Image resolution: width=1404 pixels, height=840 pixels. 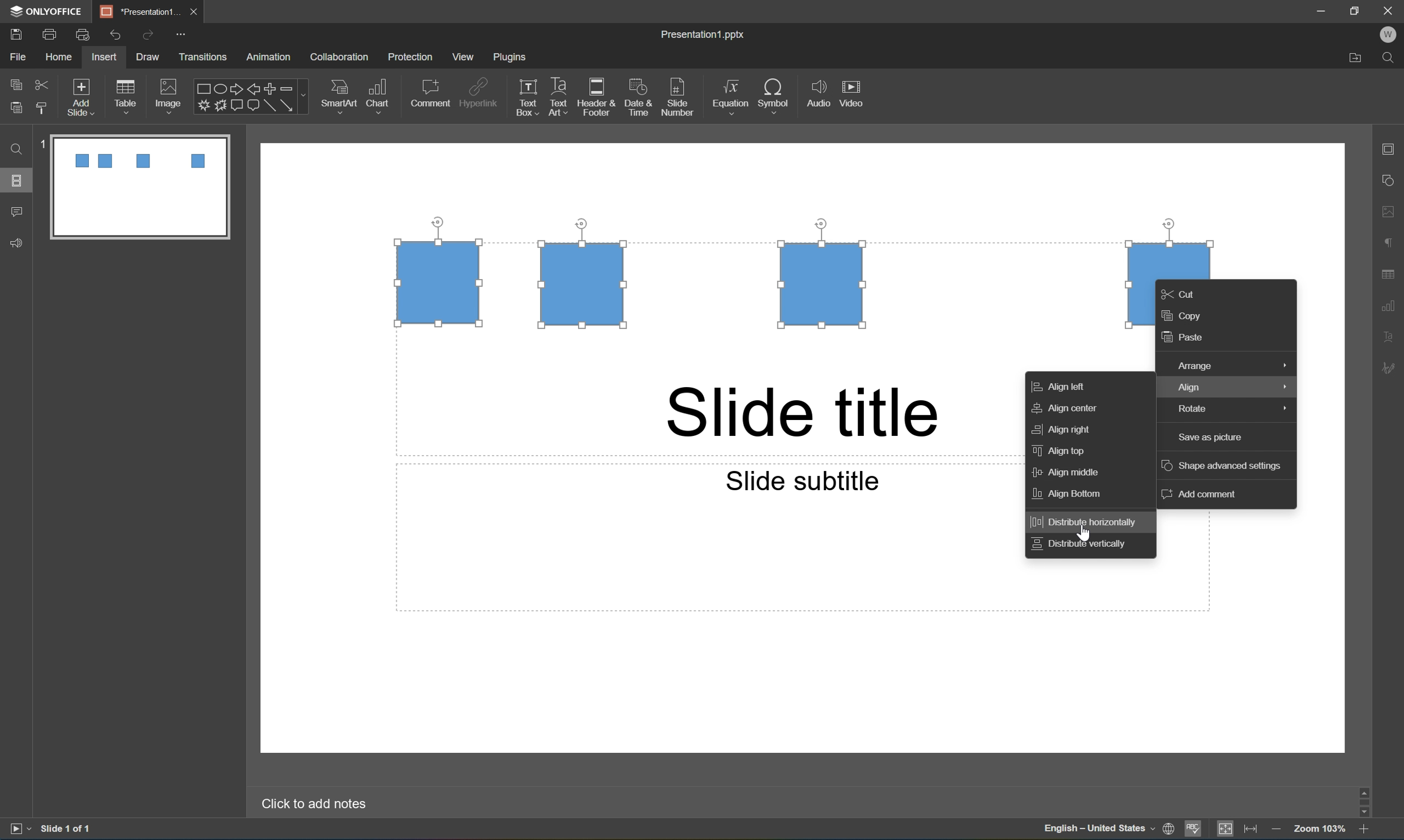 What do you see at coordinates (430, 93) in the screenshot?
I see `comment` at bounding box center [430, 93].